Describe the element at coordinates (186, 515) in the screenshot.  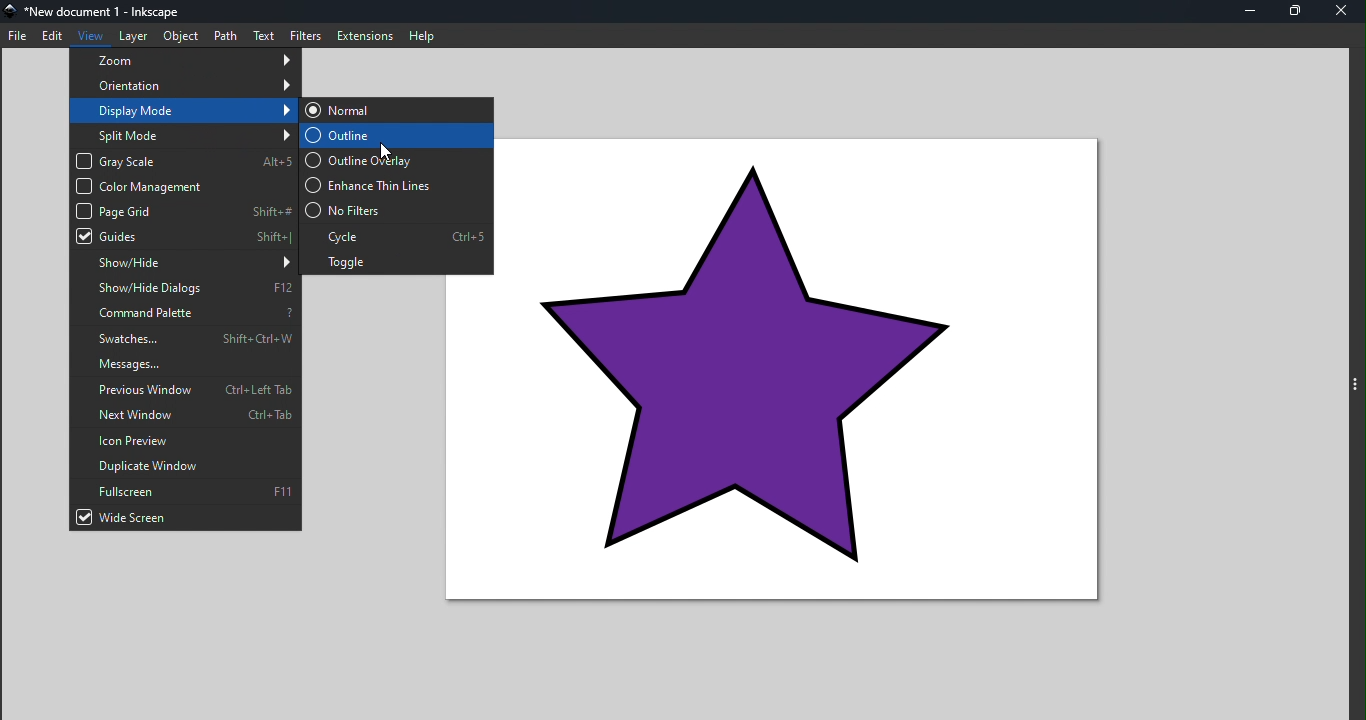
I see `Wide screen` at that location.